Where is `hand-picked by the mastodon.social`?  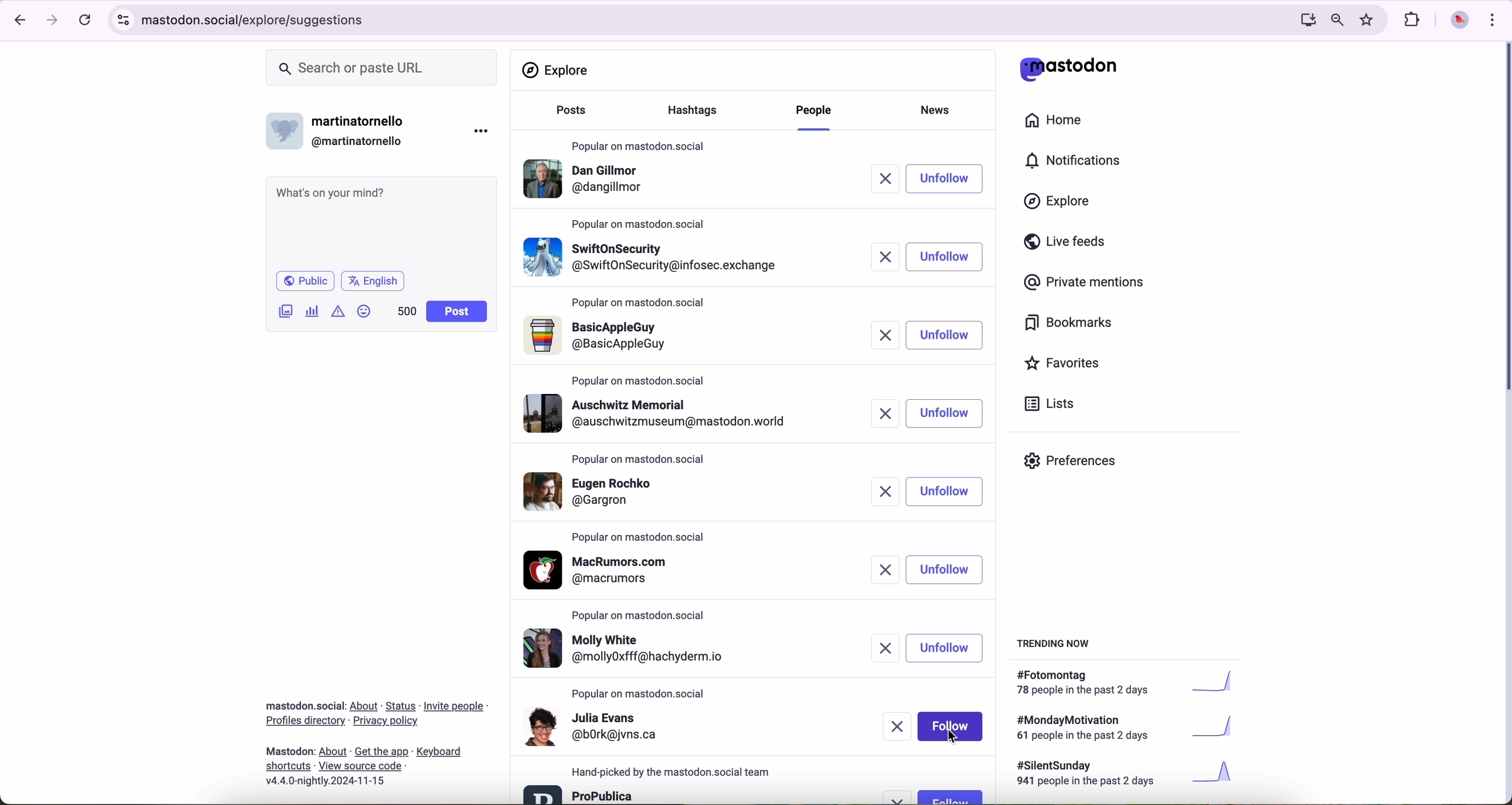
hand-picked by the mastodon.social is located at coordinates (679, 772).